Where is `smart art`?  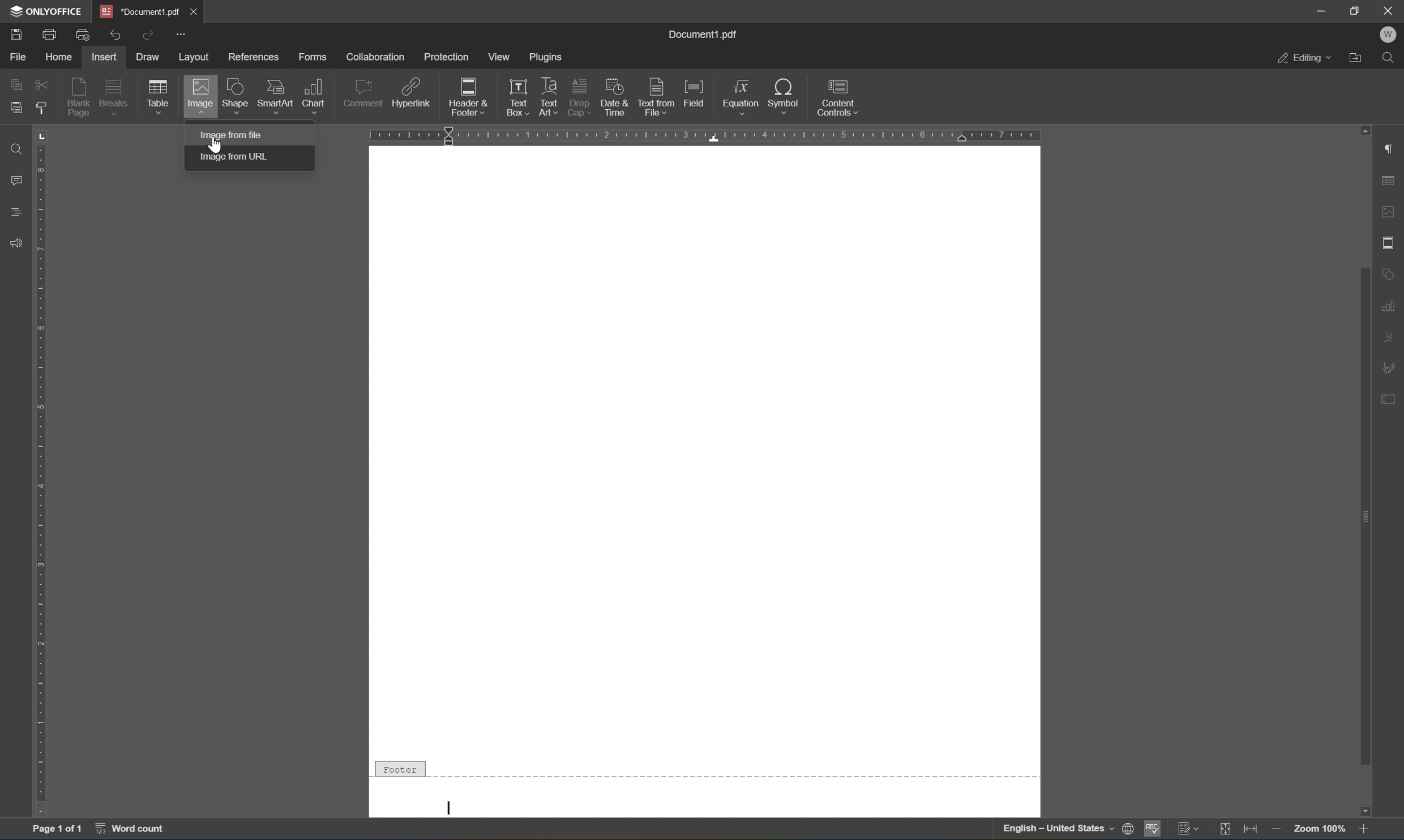
smart art is located at coordinates (275, 96).